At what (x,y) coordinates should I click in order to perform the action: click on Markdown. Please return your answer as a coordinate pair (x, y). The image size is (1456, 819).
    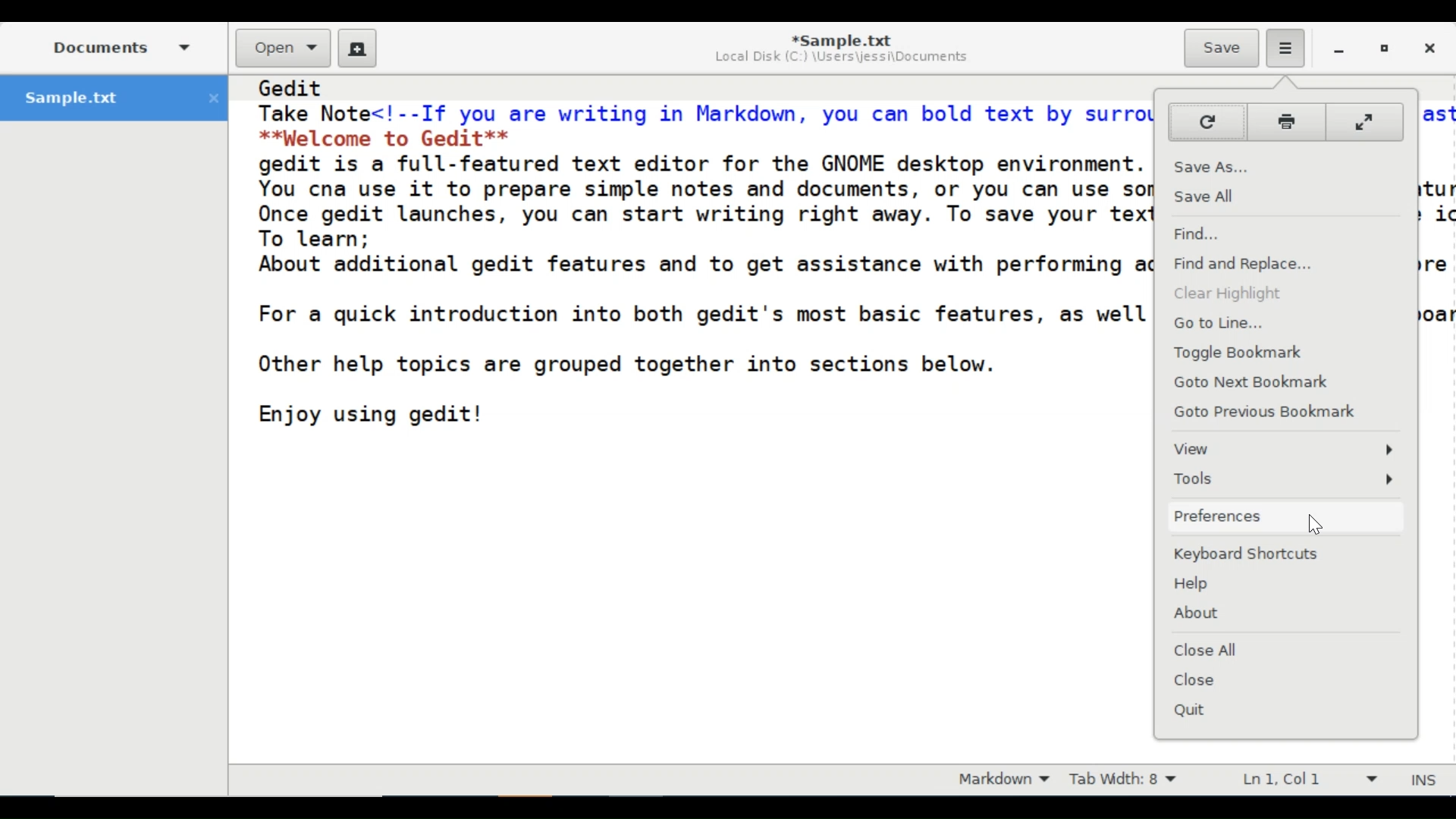
    Looking at the image, I should click on (1005, 780).